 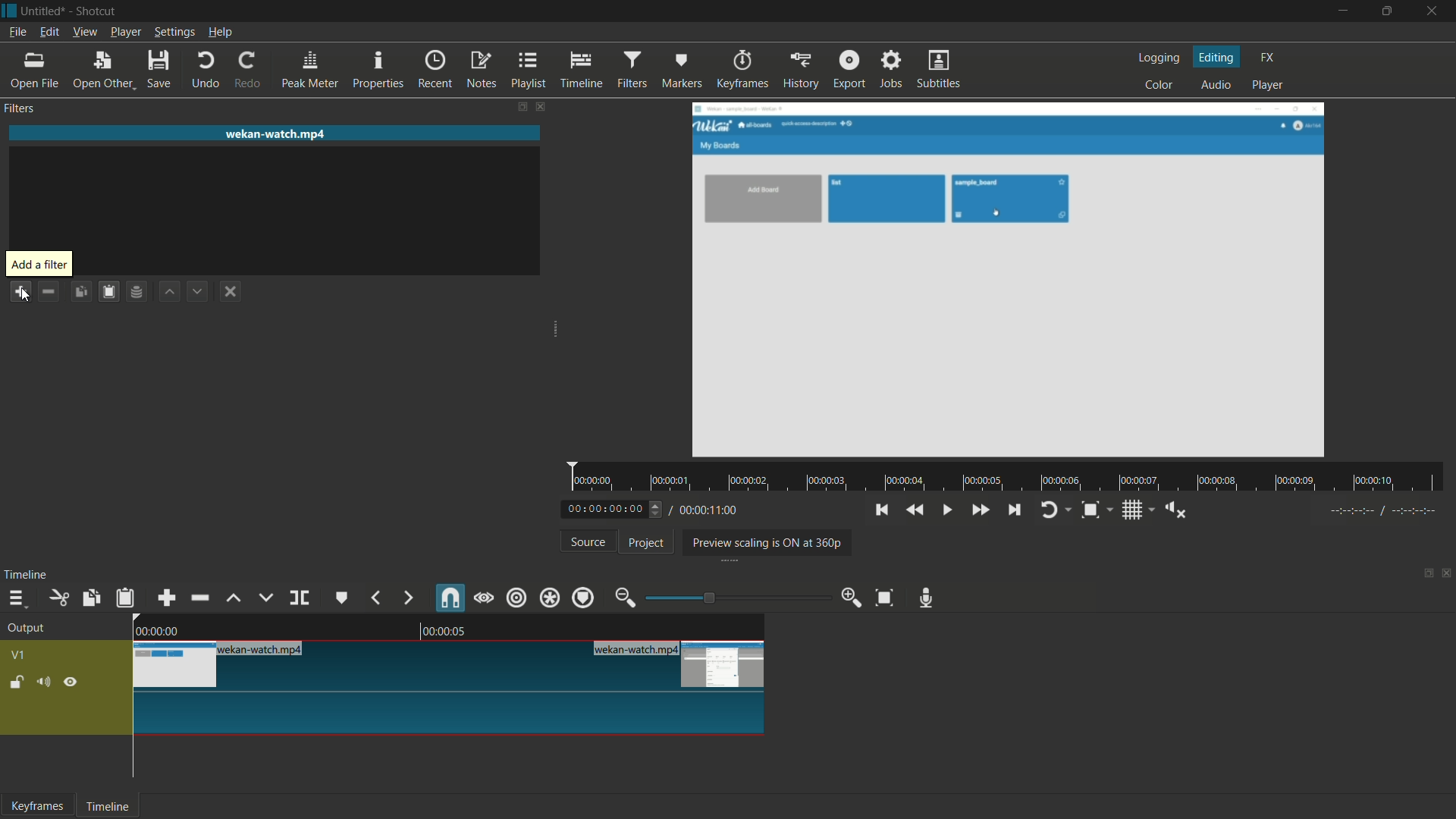 I want to click on timeline, so click(x=26, y=576).